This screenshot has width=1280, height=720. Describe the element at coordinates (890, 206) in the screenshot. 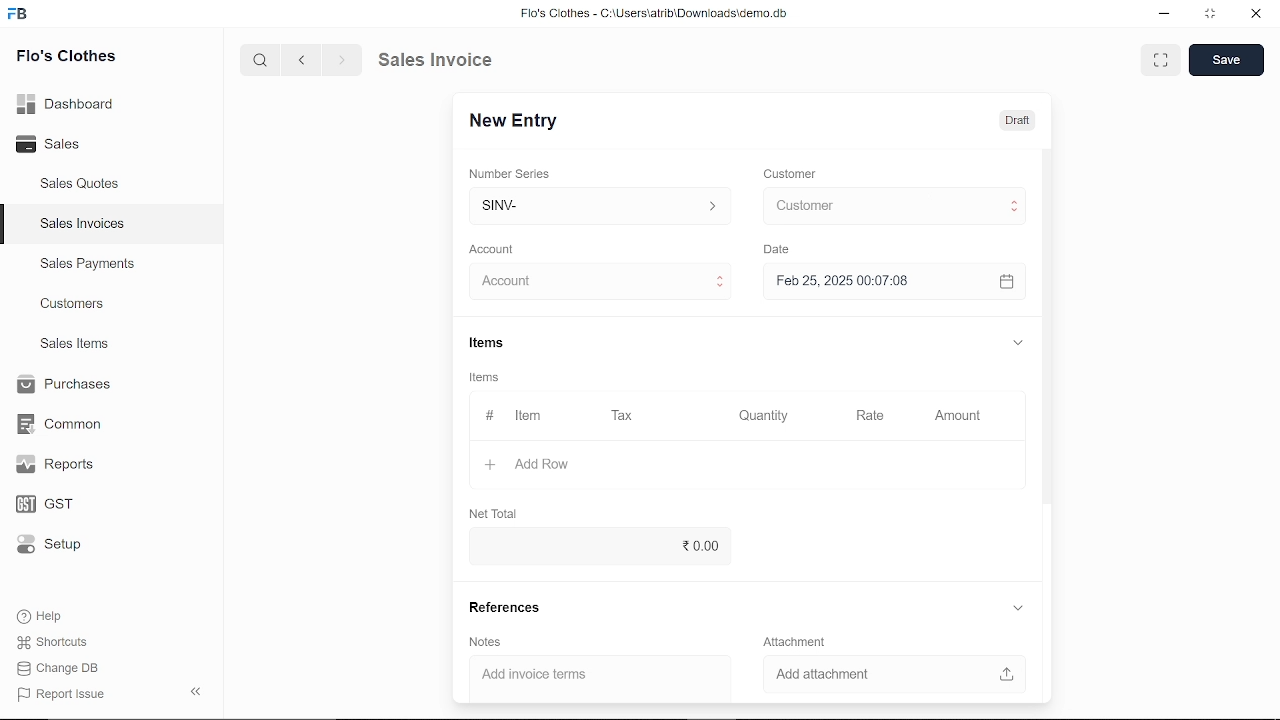

I see `Insert Customer` at that location.